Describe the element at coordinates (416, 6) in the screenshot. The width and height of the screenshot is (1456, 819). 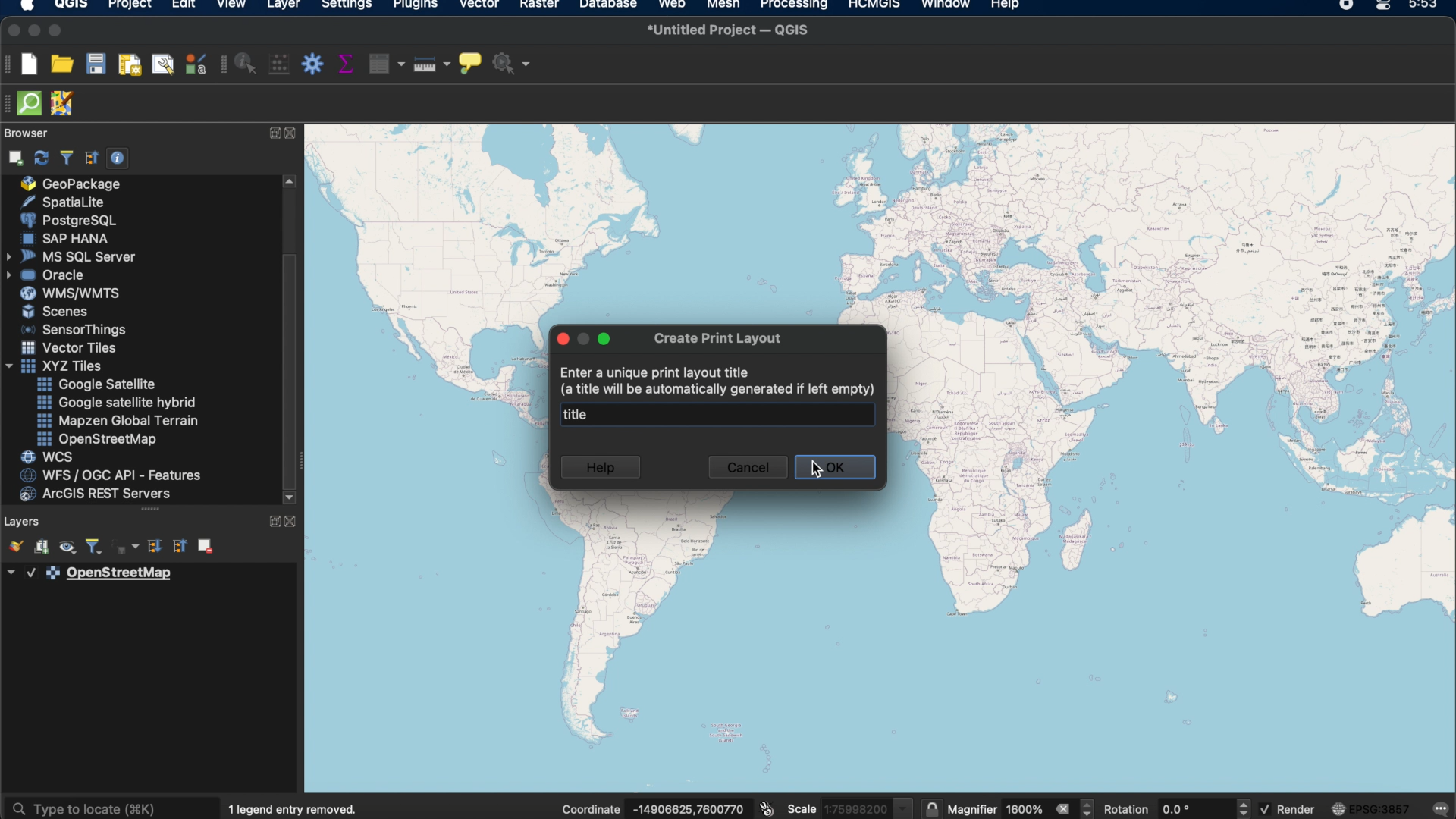
I see `plugins` at that location.